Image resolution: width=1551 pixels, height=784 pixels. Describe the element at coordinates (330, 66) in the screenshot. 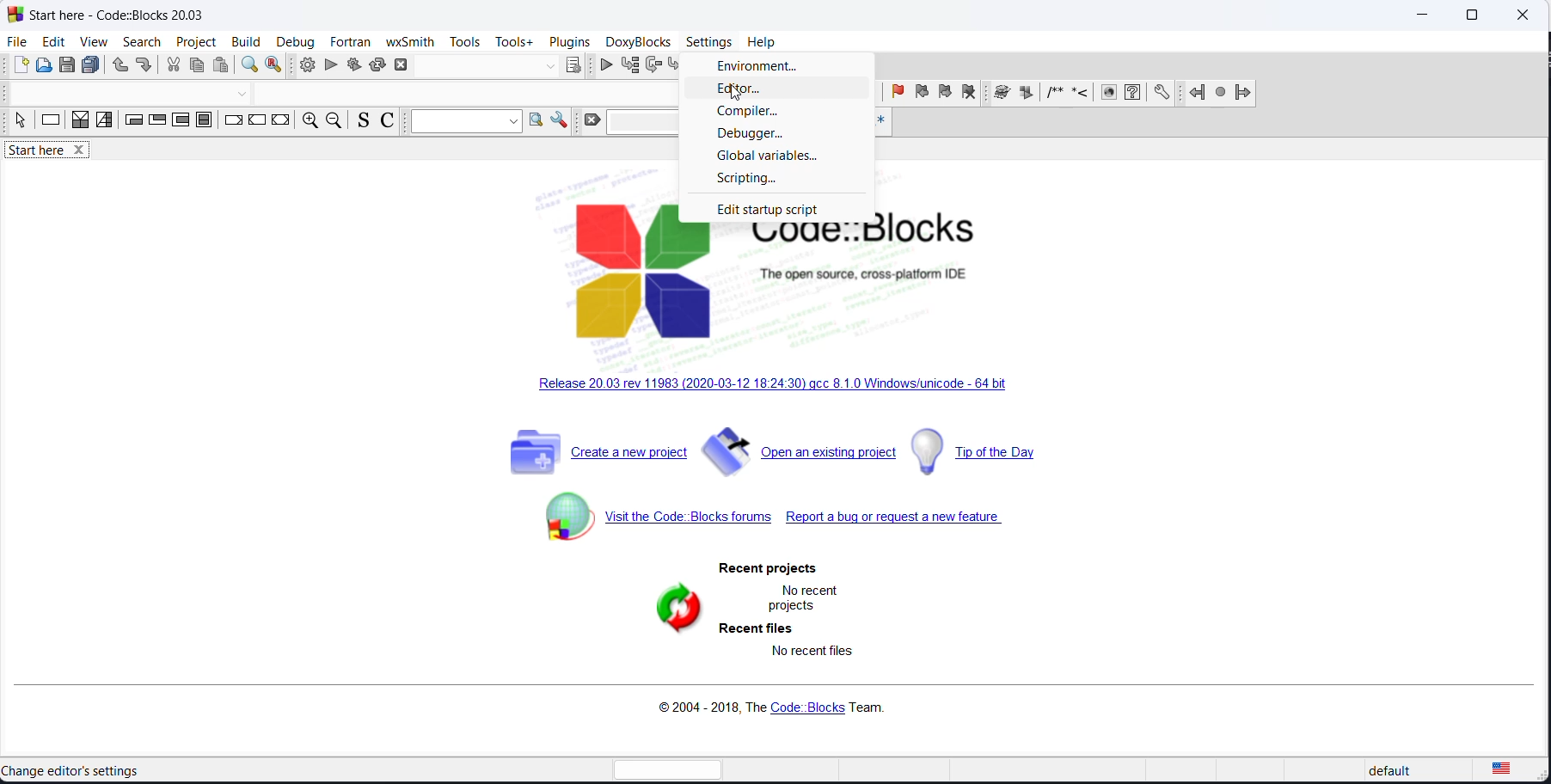

I see `run` at that location.